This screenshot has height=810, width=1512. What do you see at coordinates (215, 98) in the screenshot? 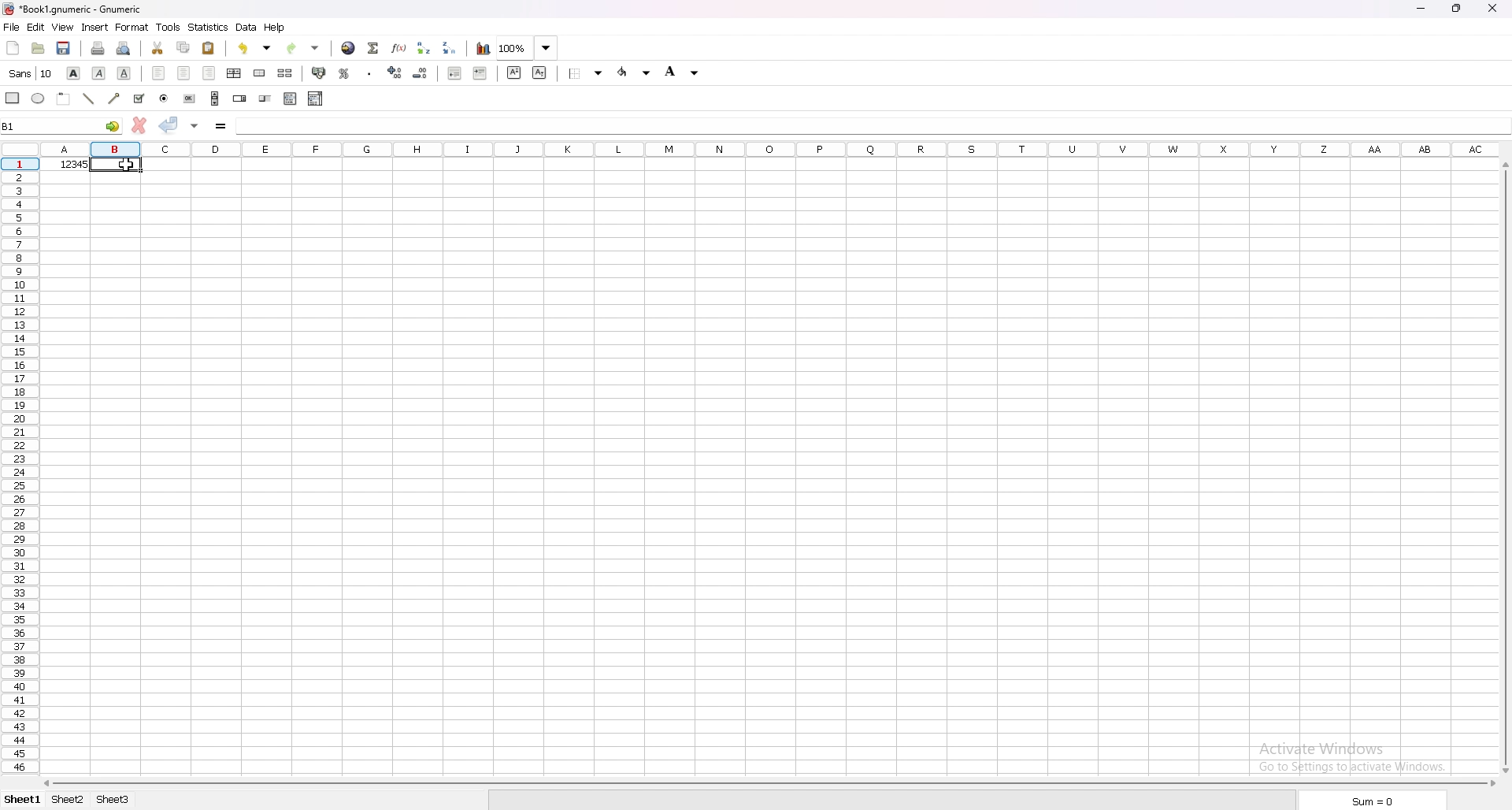
I see `scroll bar` at bounding box center [215, 98].